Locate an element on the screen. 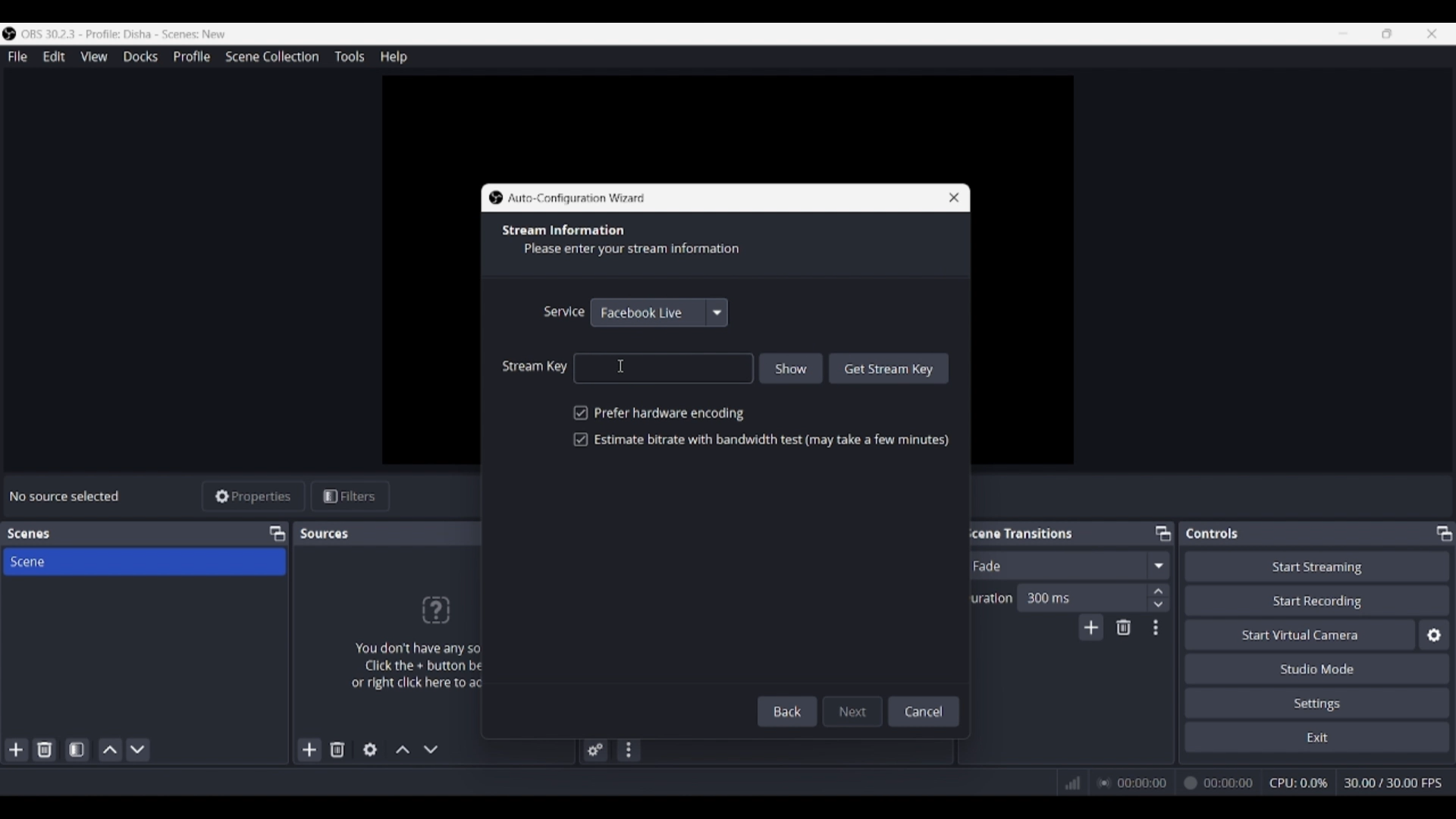 The image size is (1456, 819). Scene collection menu is located at coordinates (271, 56).